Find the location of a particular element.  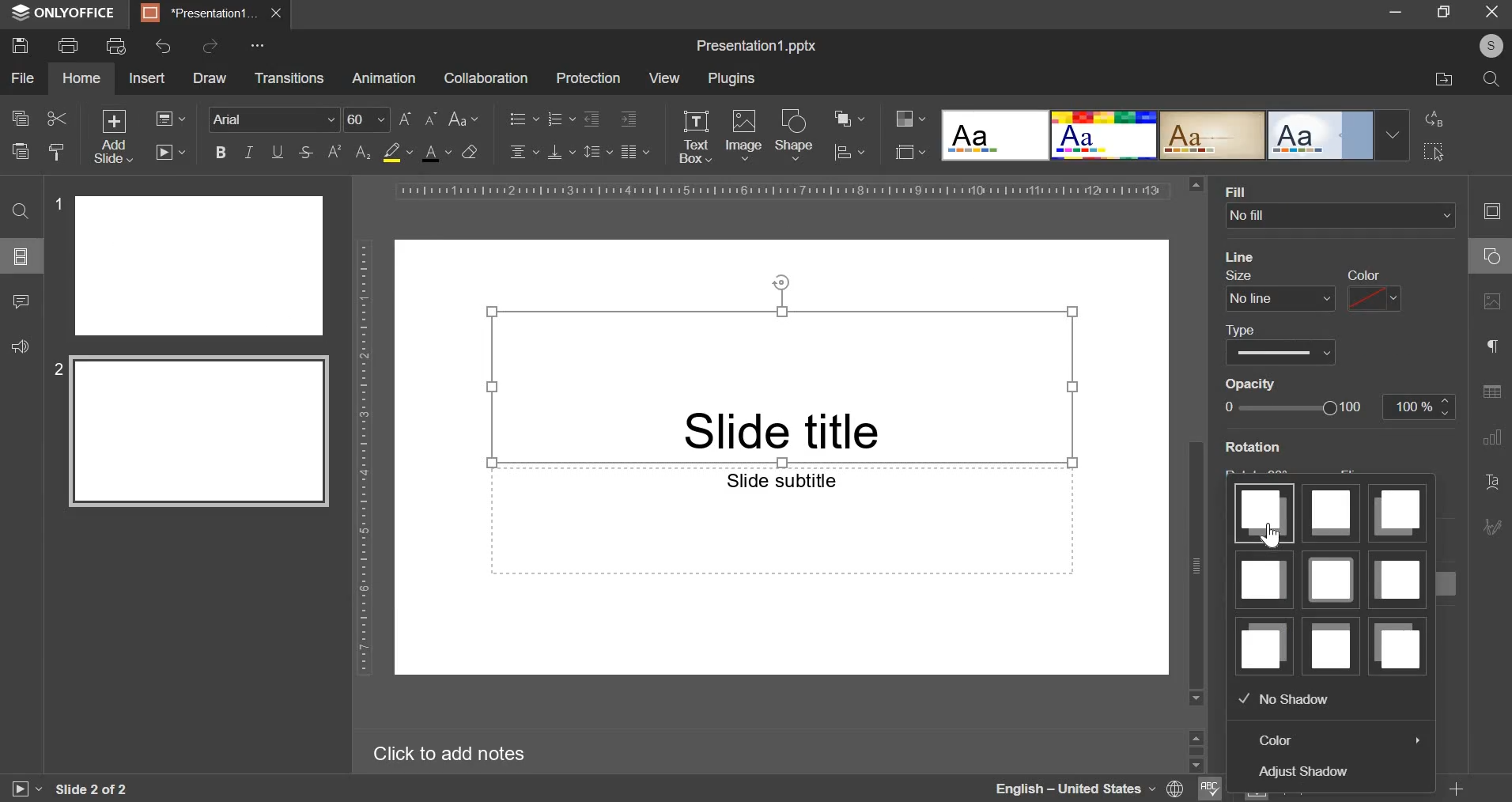

fill is located at coordinates (1240, 192).